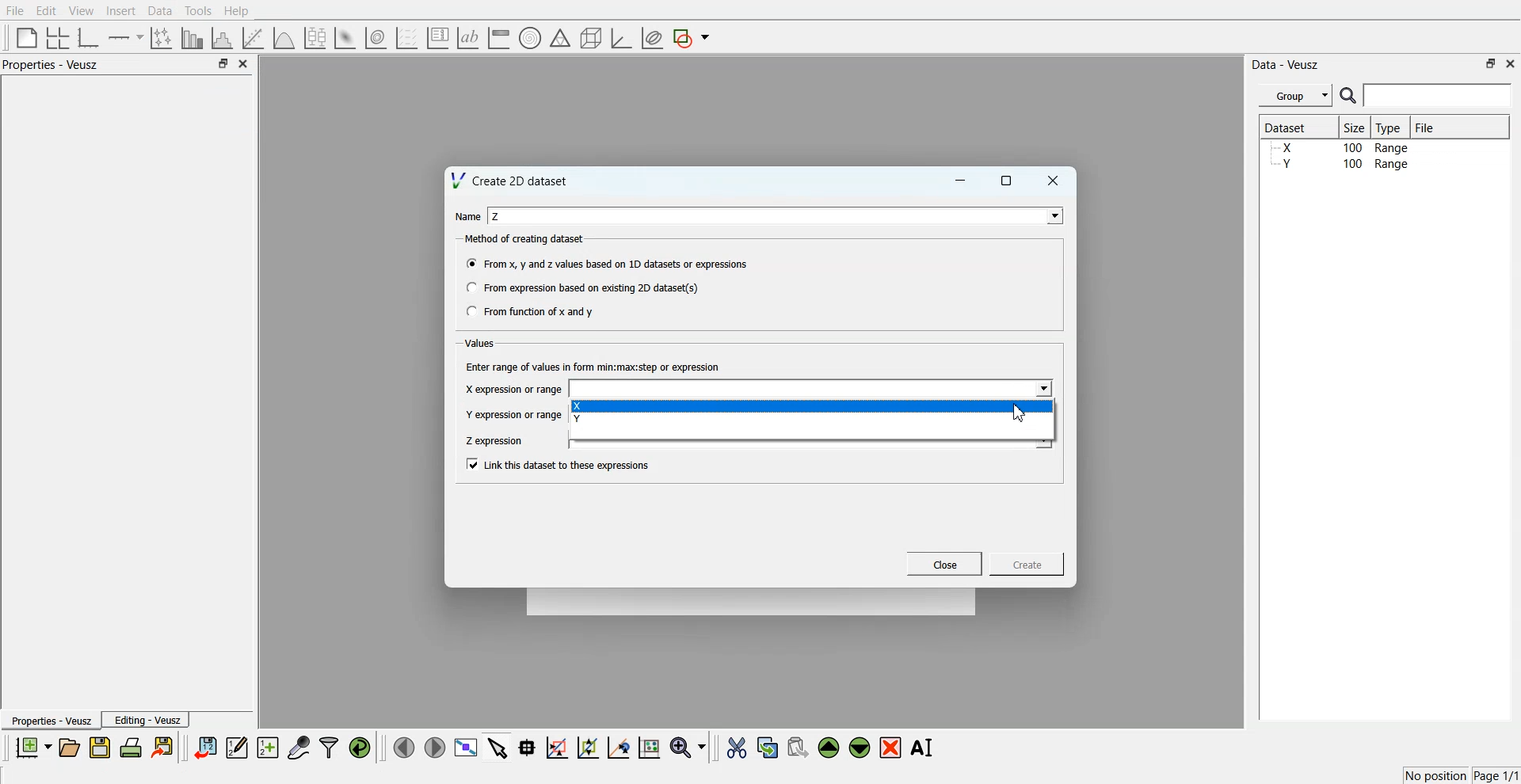  Describe the element at coordinates (284, 38) in the screenshot. I see `3D Function` at that location.